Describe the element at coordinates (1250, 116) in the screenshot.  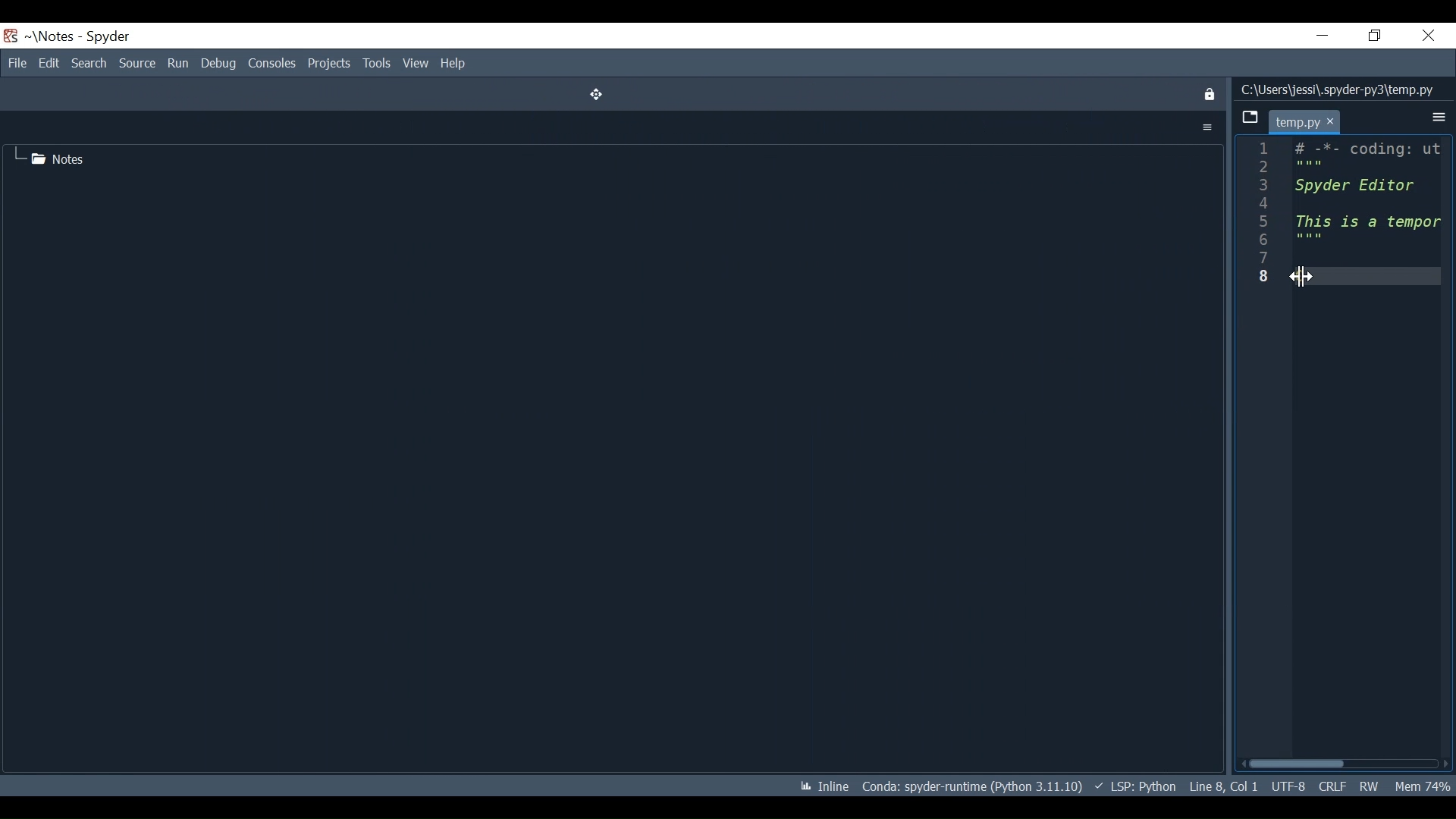
I see `Browse tab` at that location.